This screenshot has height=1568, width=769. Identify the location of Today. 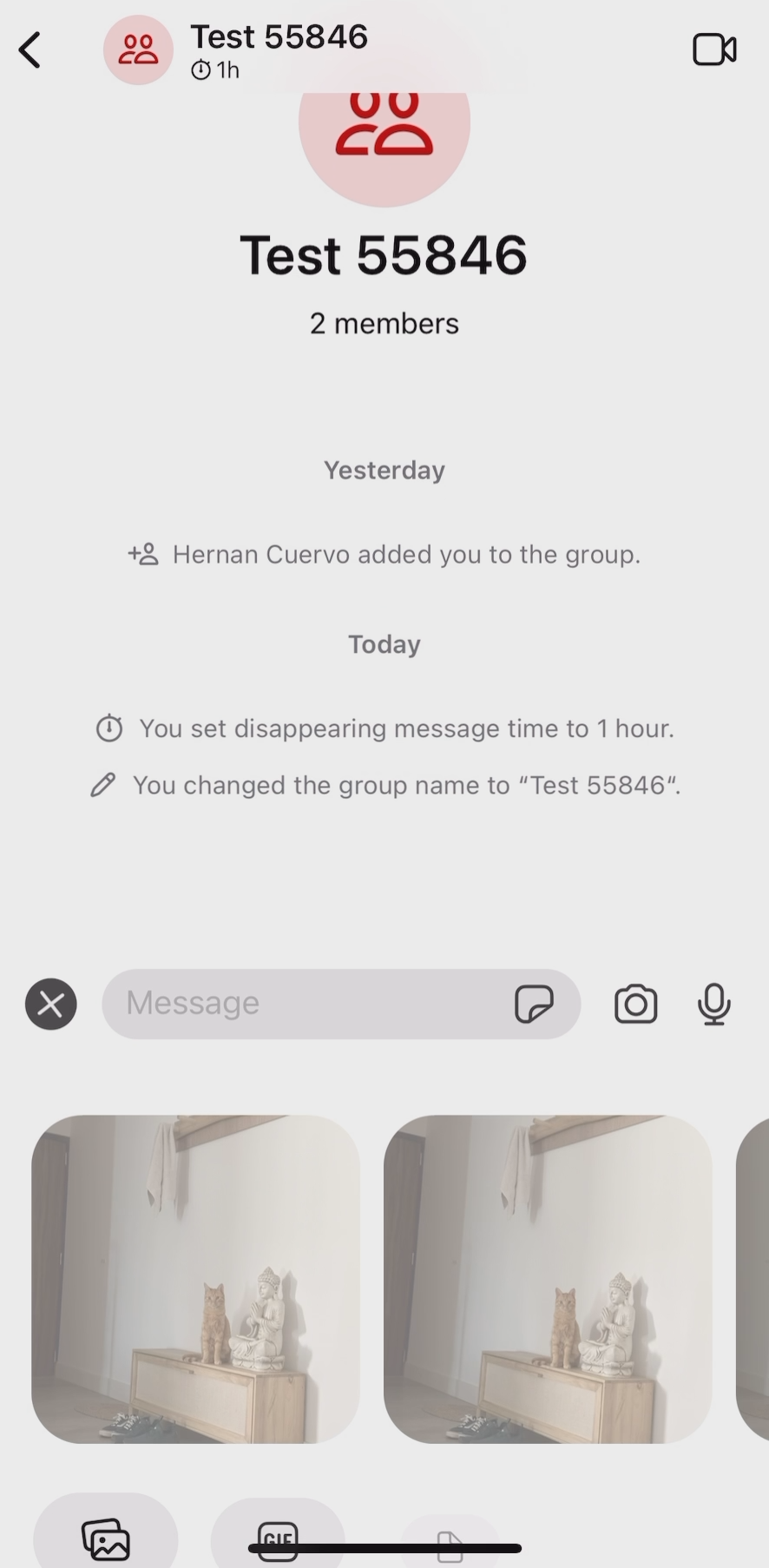
(391, 637).